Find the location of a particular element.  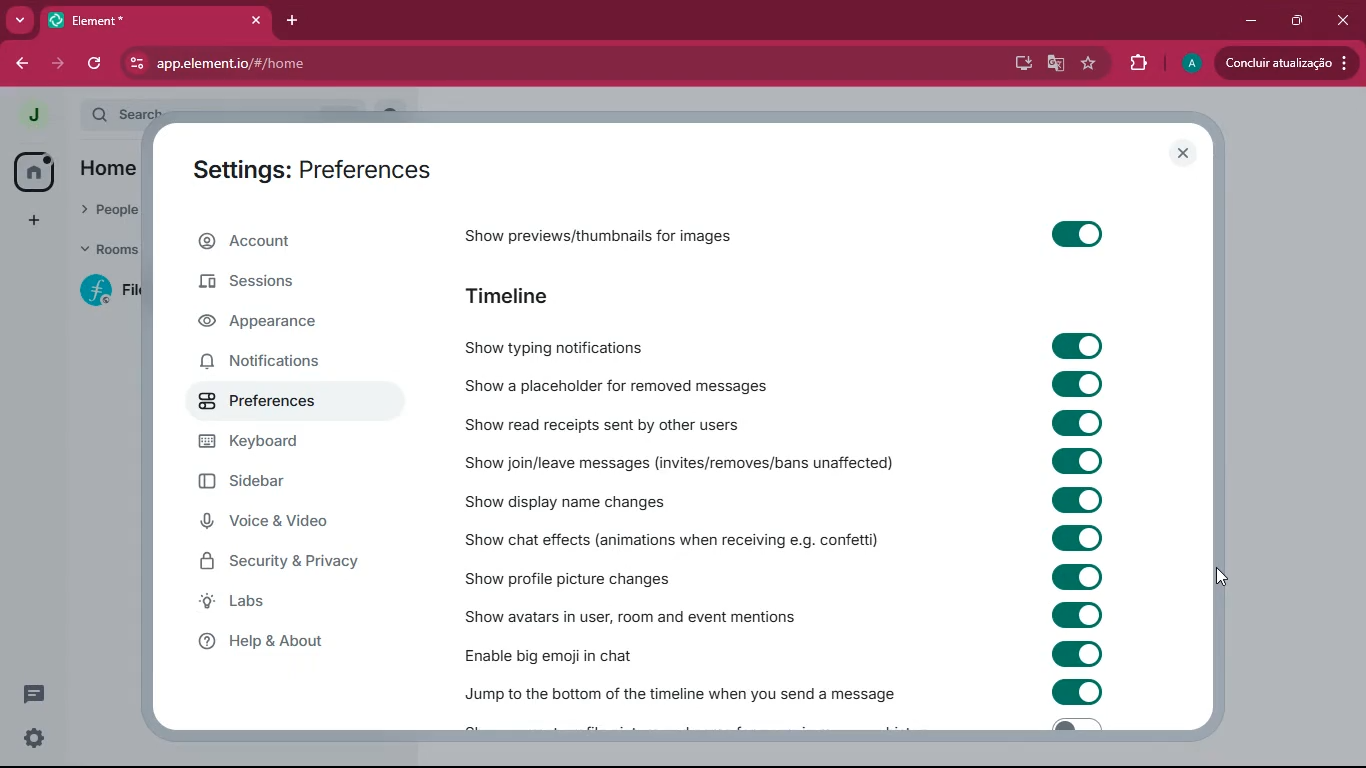

show avatars in user, room and event mentions is located at coordinates (628, 616).